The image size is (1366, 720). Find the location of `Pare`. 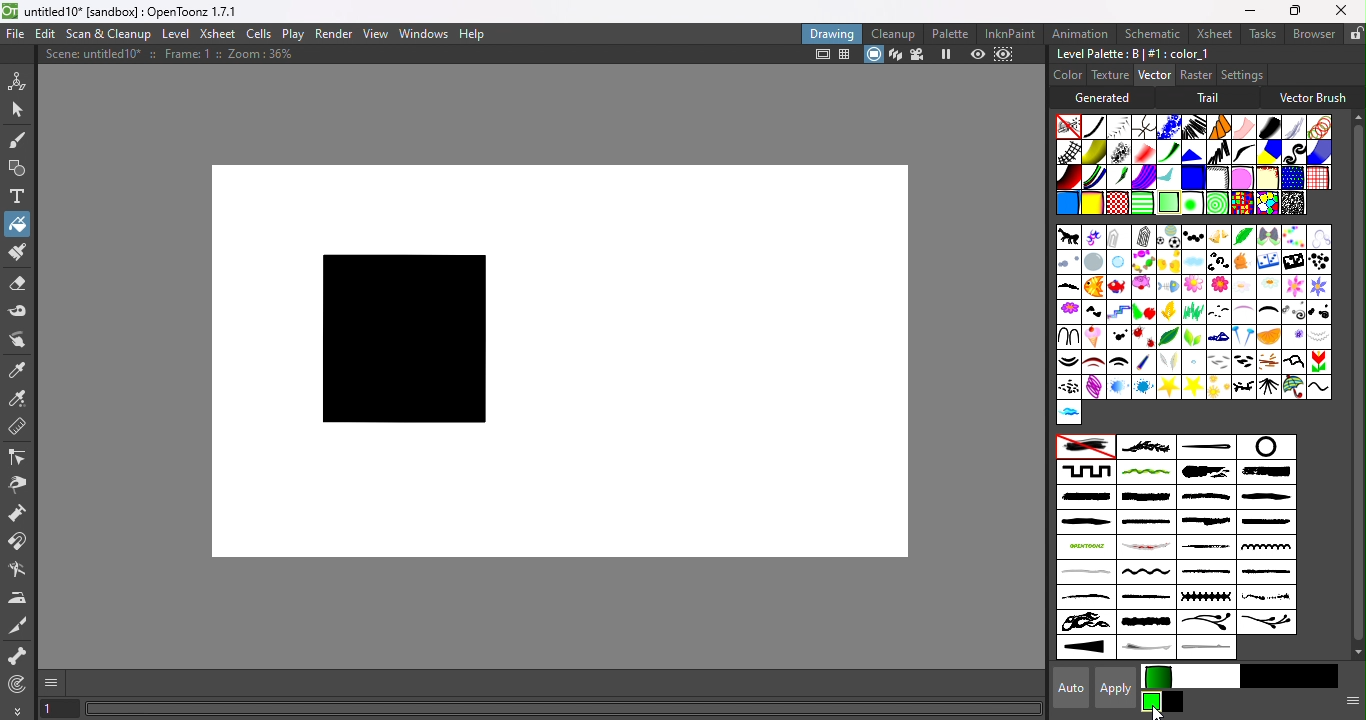

Pare is located at coordinates (1321, 336).